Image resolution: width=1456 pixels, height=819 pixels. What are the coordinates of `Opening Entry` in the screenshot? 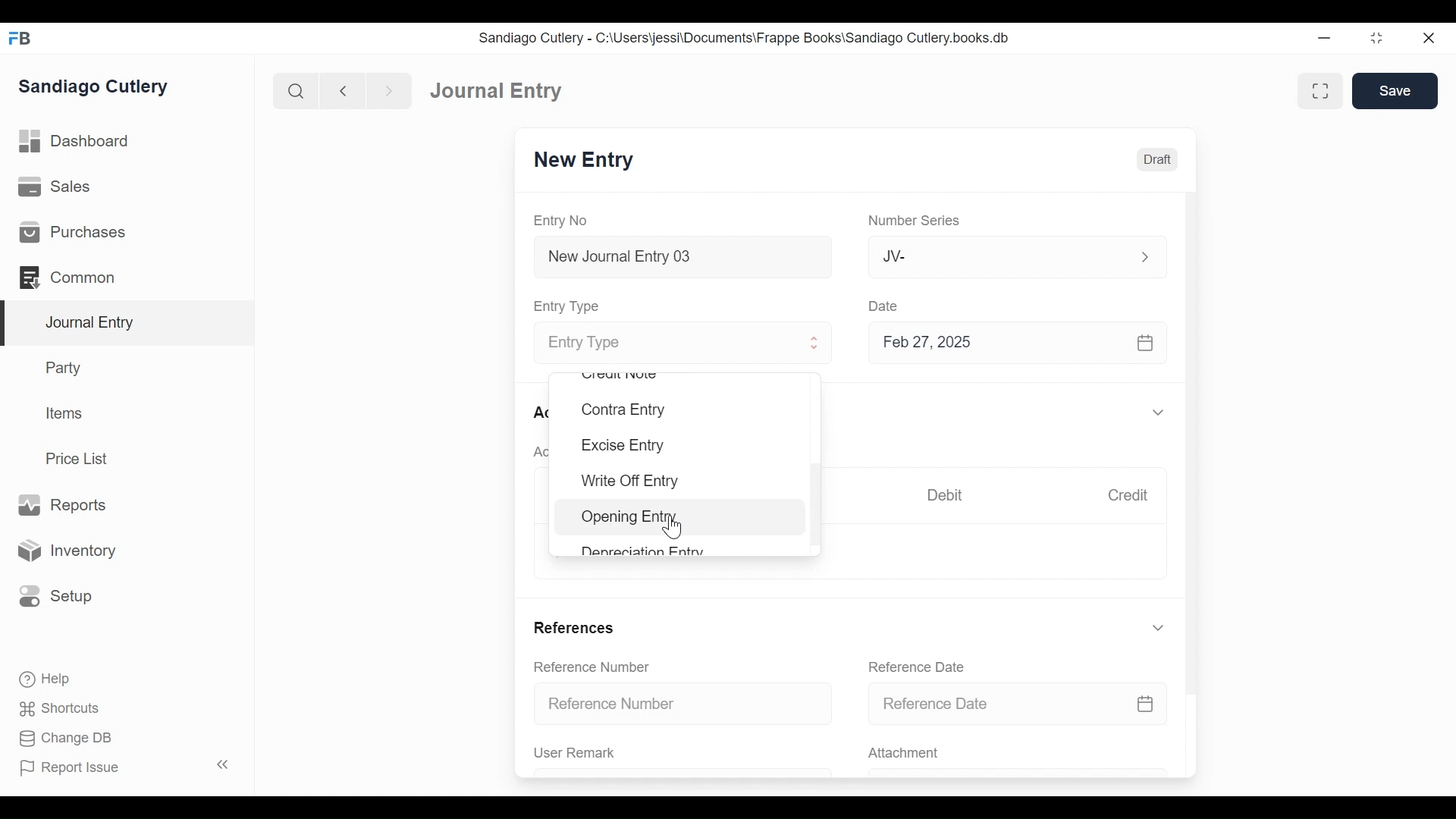 It's located at (634, 518).